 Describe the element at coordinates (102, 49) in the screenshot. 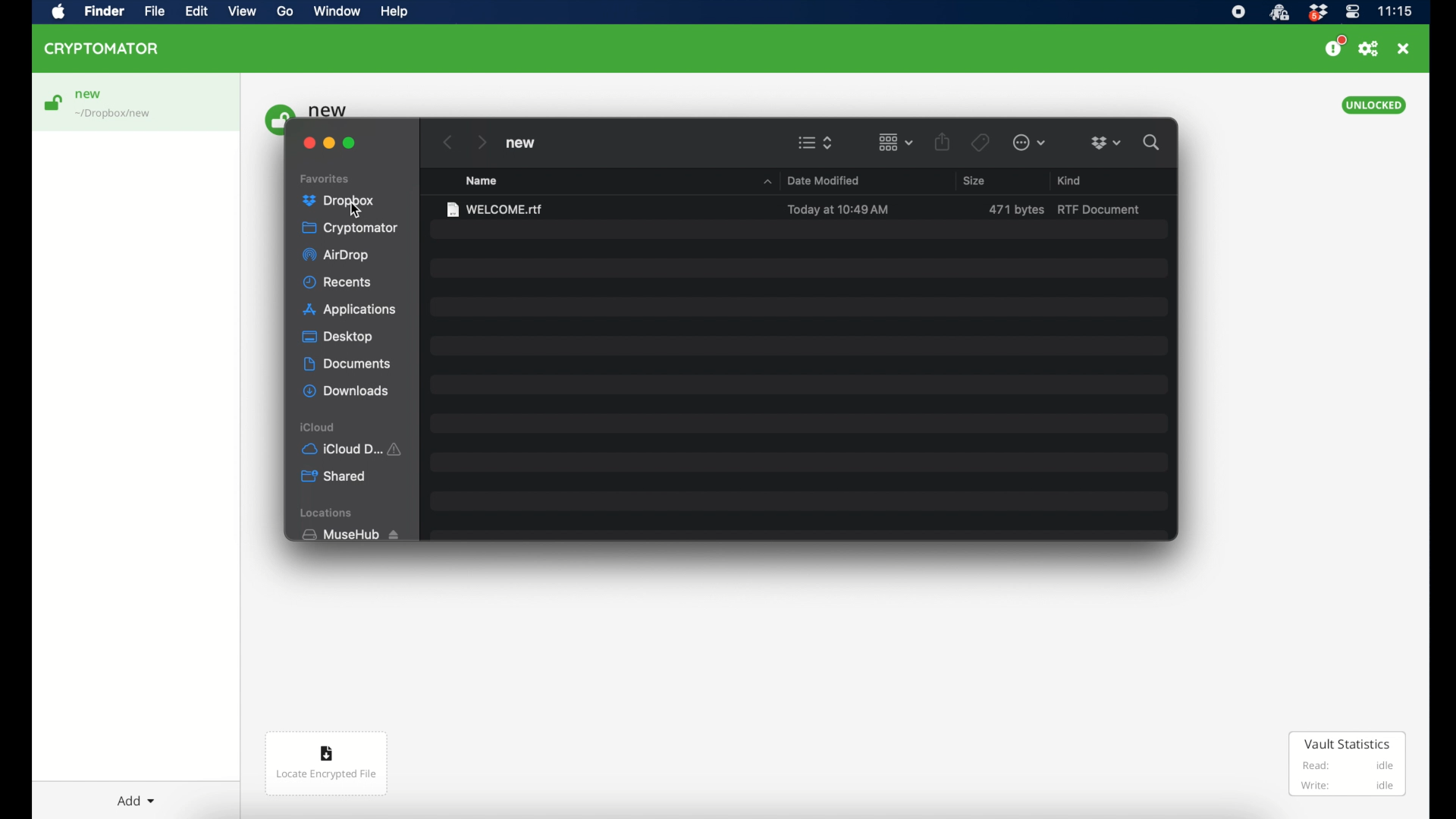

I see `cryptomator` at that location.